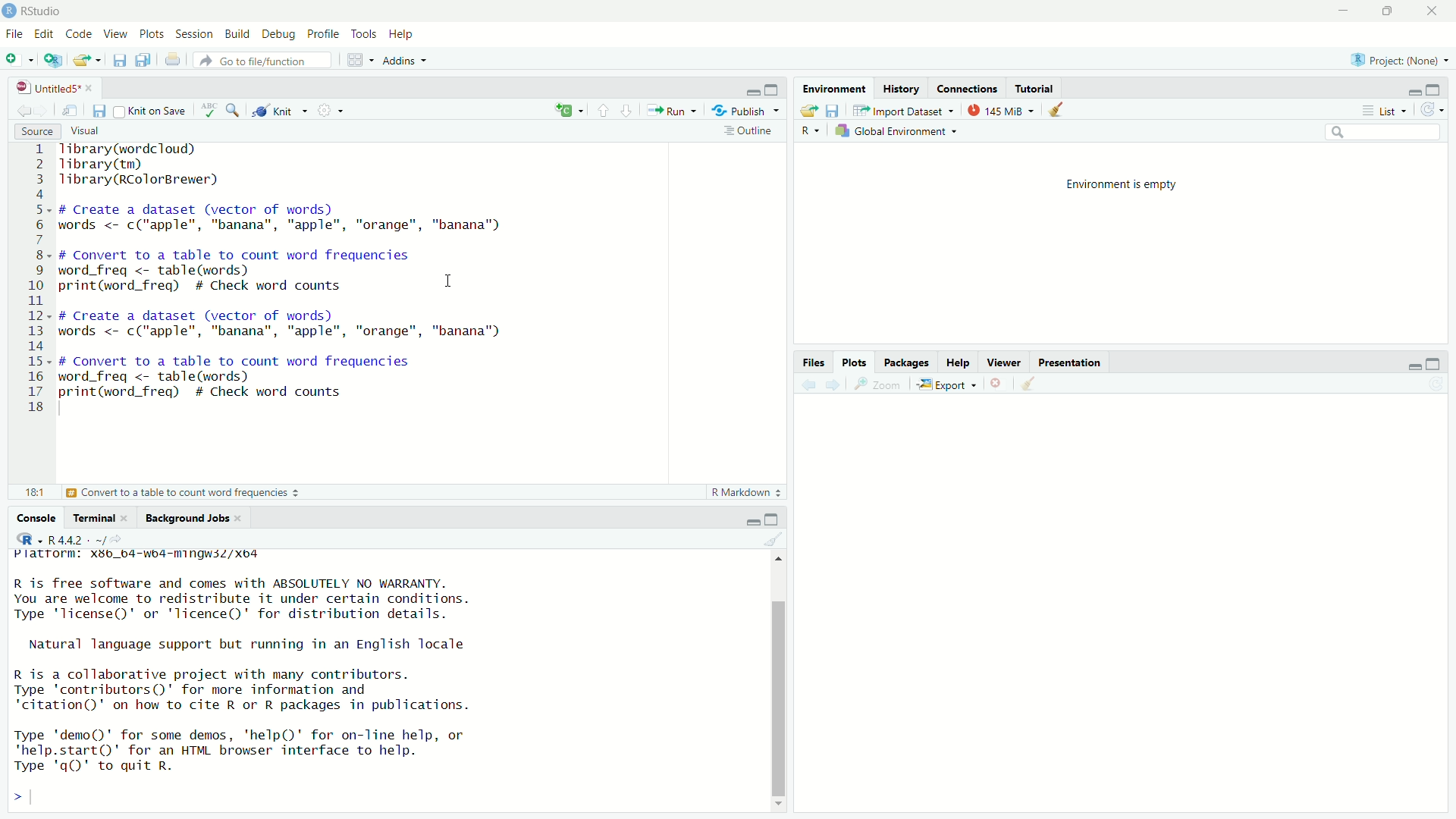 The width and height of the screenshot is (1456, 819). I want to click on Check Spelling, so click(208, 111).